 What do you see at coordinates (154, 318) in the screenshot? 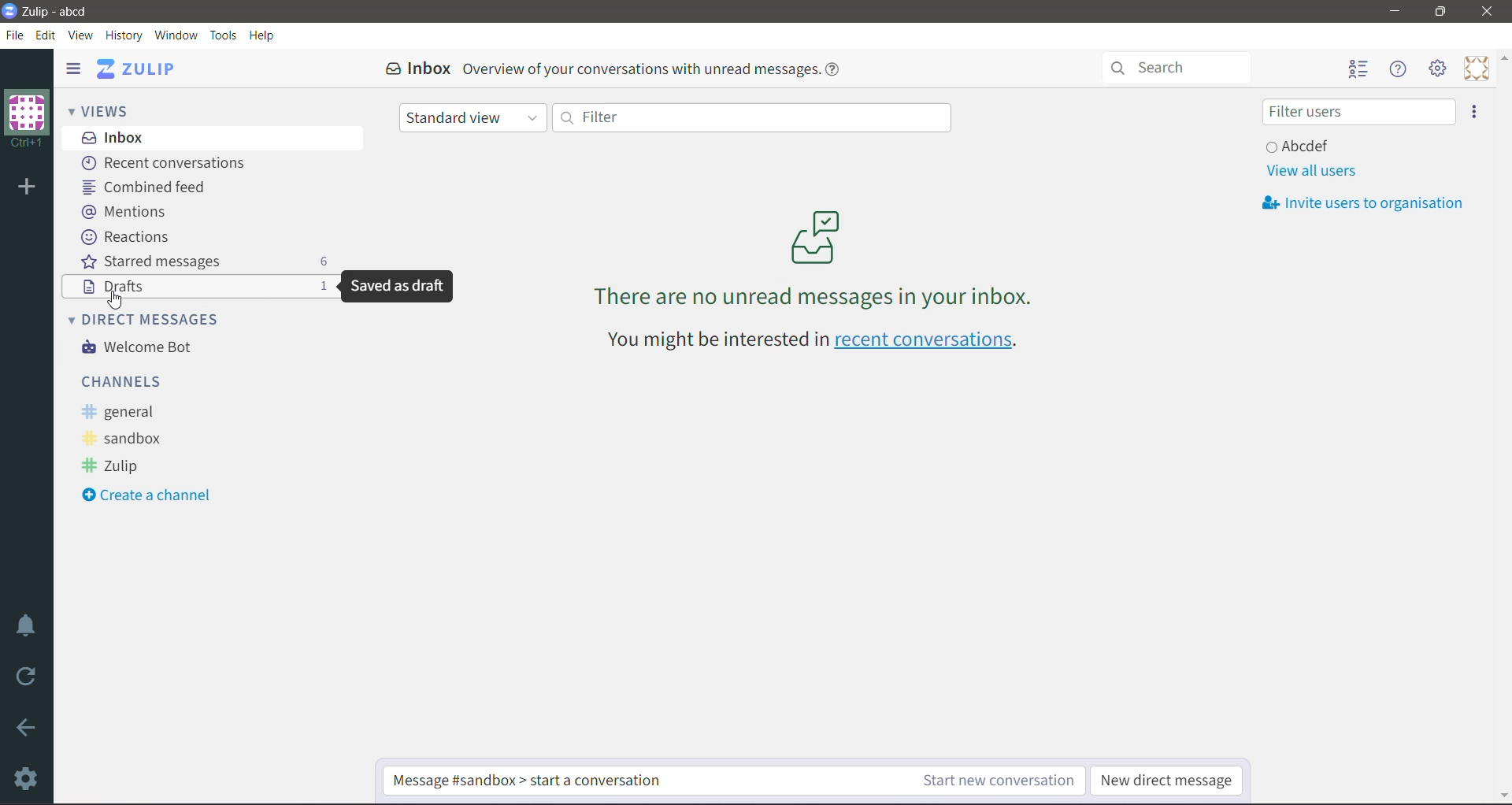
I see `Direct Messages` at bounding box center [154, 318].